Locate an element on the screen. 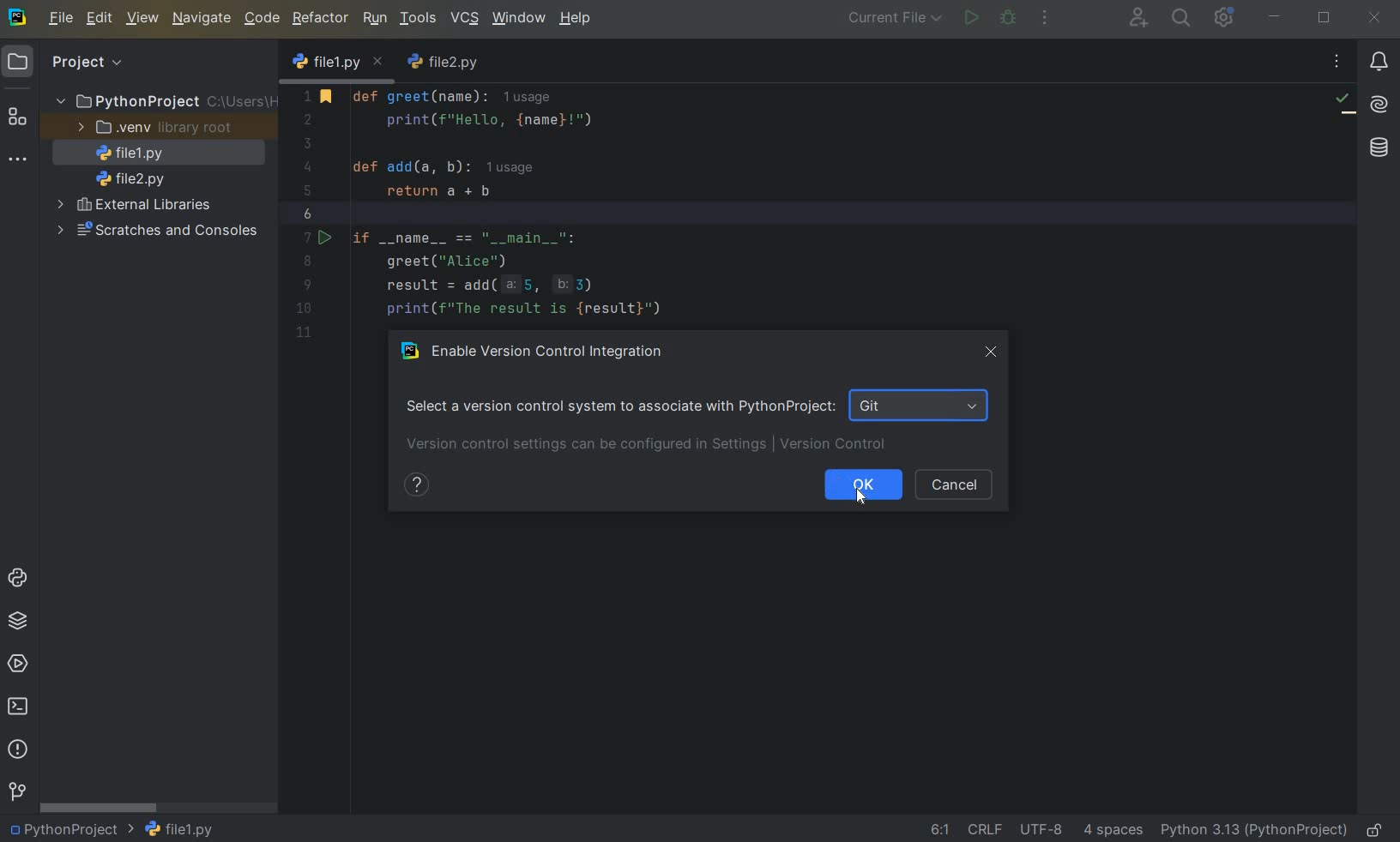 The image size is (1400, 842). run is located at coordinates (972, 19).